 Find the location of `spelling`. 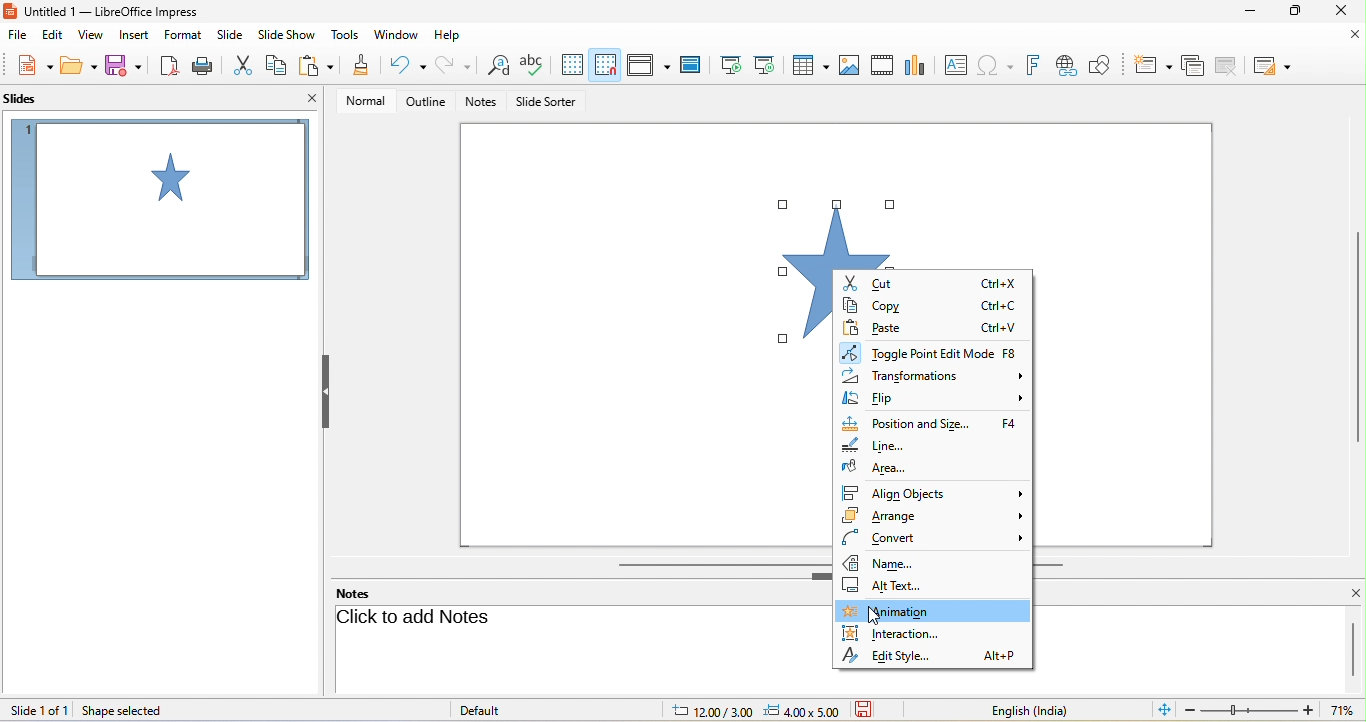

spelling is located at coordinates (533, 65).